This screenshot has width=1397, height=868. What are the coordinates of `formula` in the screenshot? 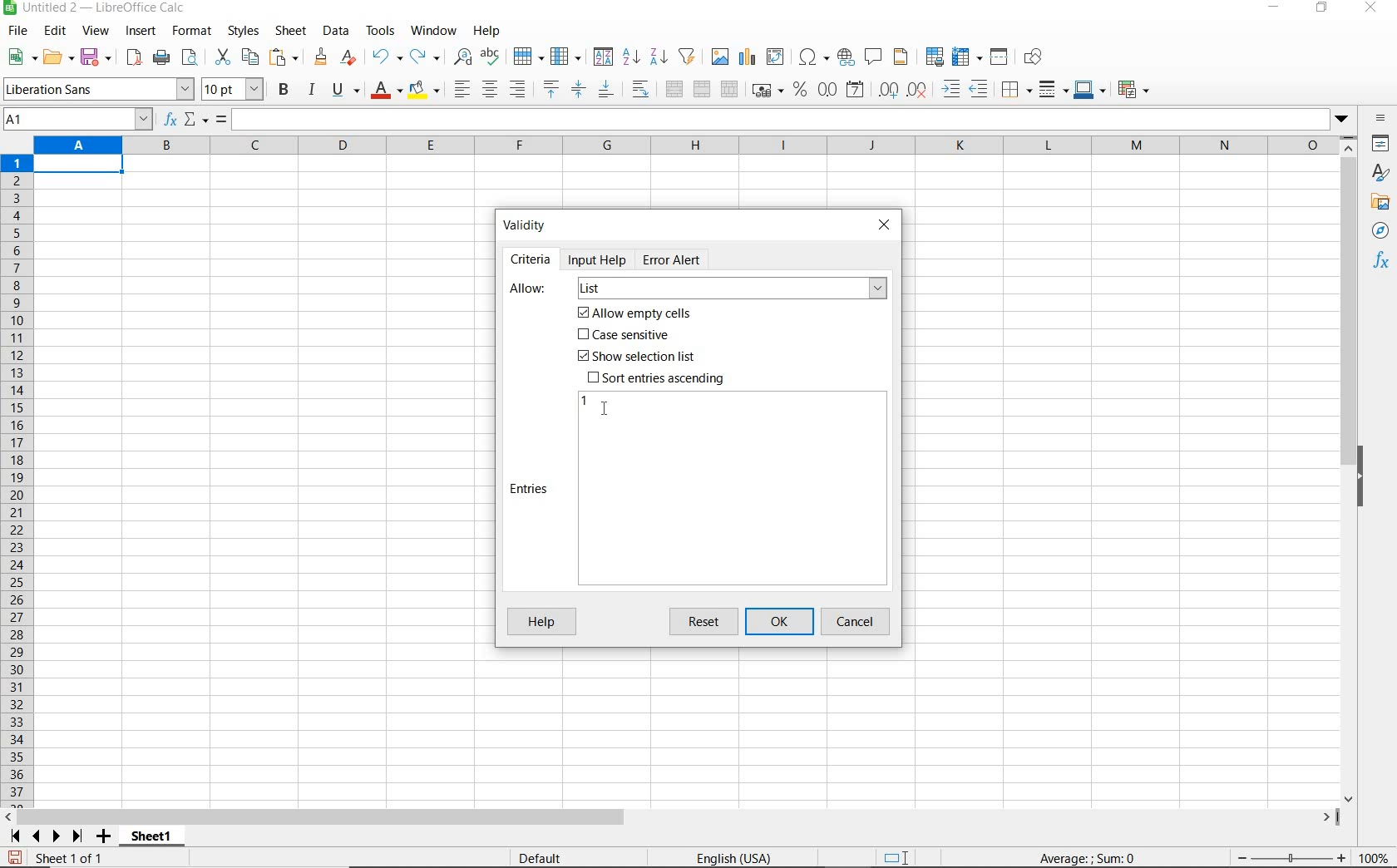 It's located at (1088, 857).